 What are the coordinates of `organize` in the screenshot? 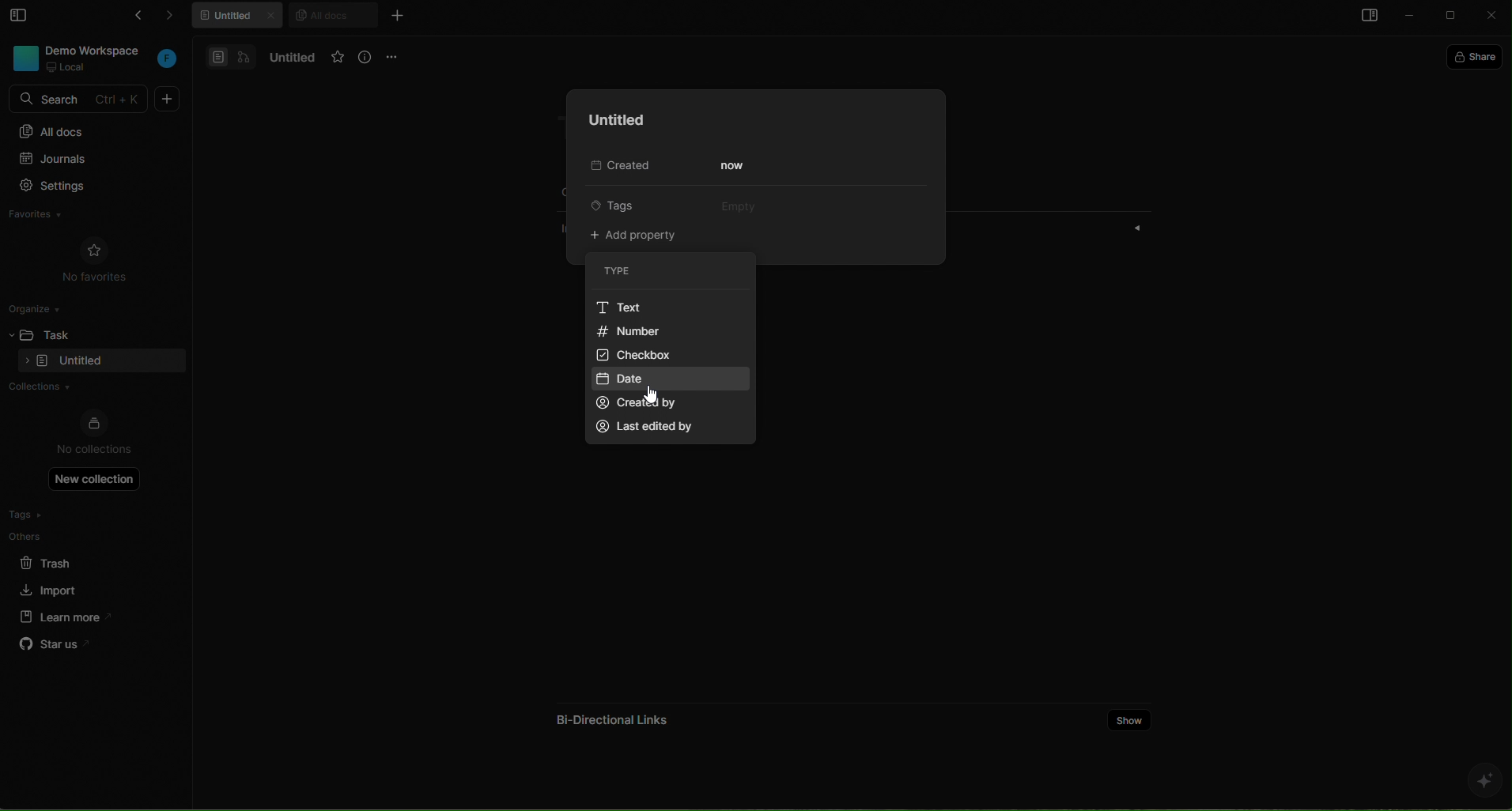 It's located at (40, 307).